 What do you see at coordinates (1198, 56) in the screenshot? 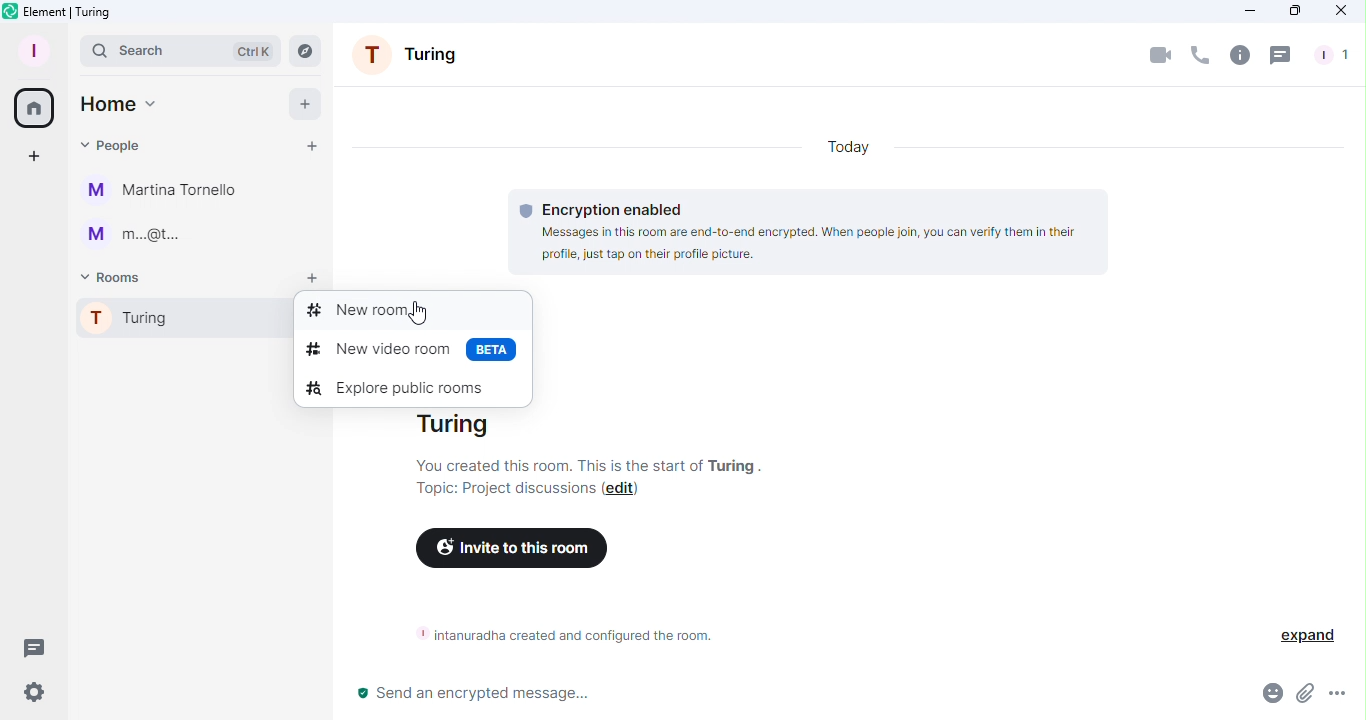
I see `Call` at bounding box center [1198, 56].